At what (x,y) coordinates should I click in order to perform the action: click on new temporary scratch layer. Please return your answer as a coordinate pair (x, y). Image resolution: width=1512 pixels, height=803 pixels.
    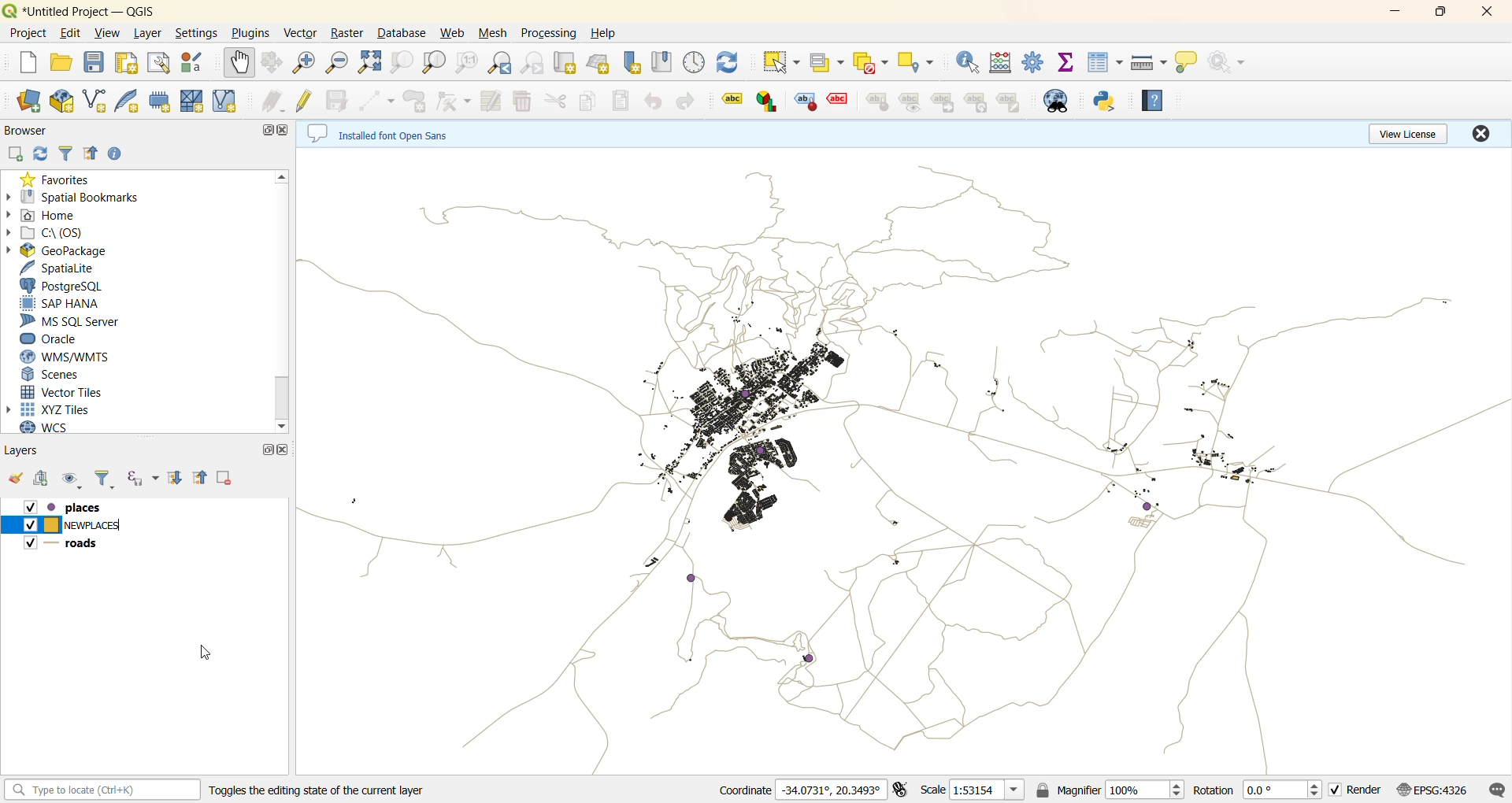
    Looking at the image, I should click on (160, 102).